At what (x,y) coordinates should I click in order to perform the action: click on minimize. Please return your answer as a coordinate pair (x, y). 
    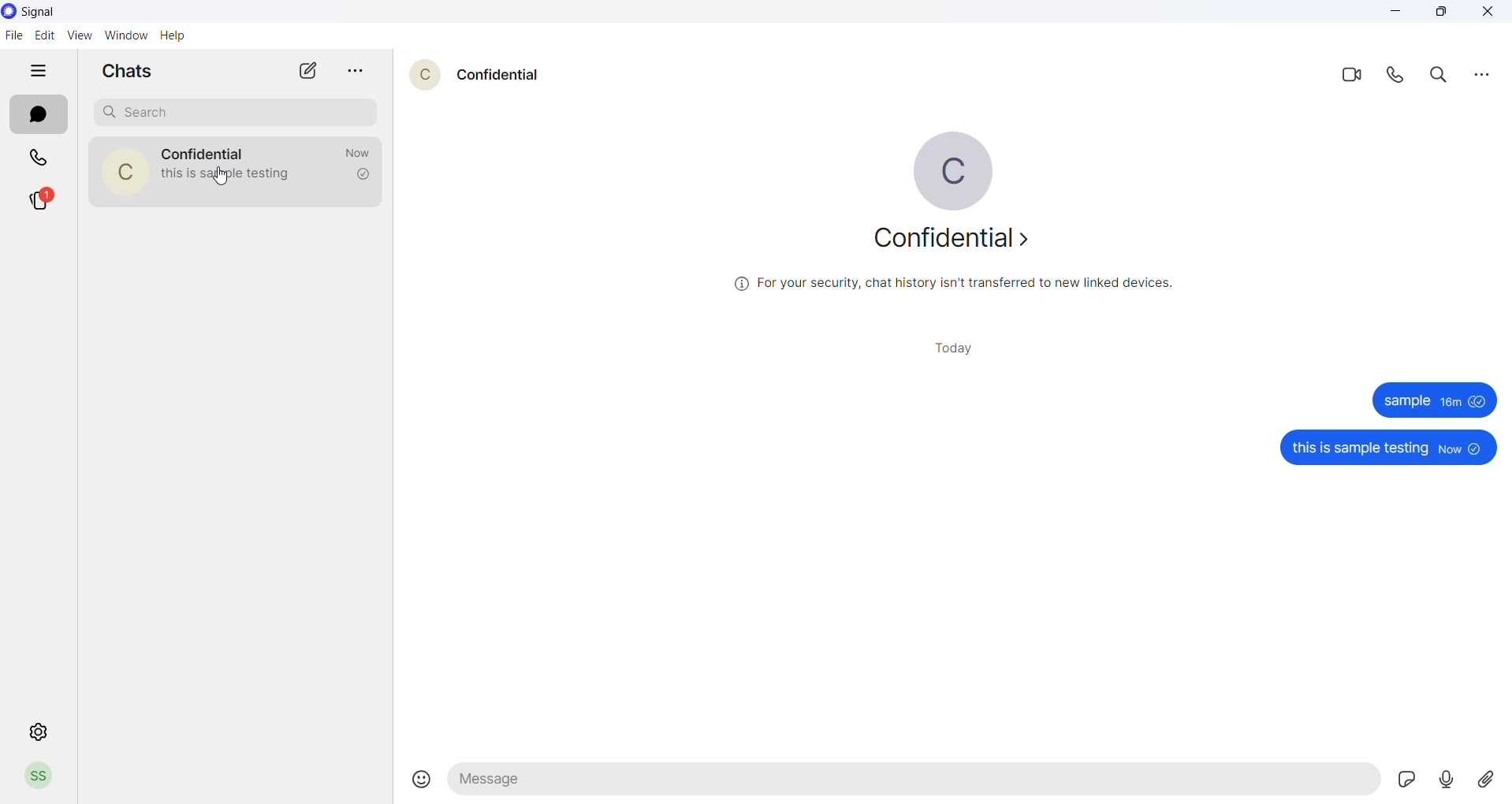
    Looking at the image, I should click on (1395, 14).